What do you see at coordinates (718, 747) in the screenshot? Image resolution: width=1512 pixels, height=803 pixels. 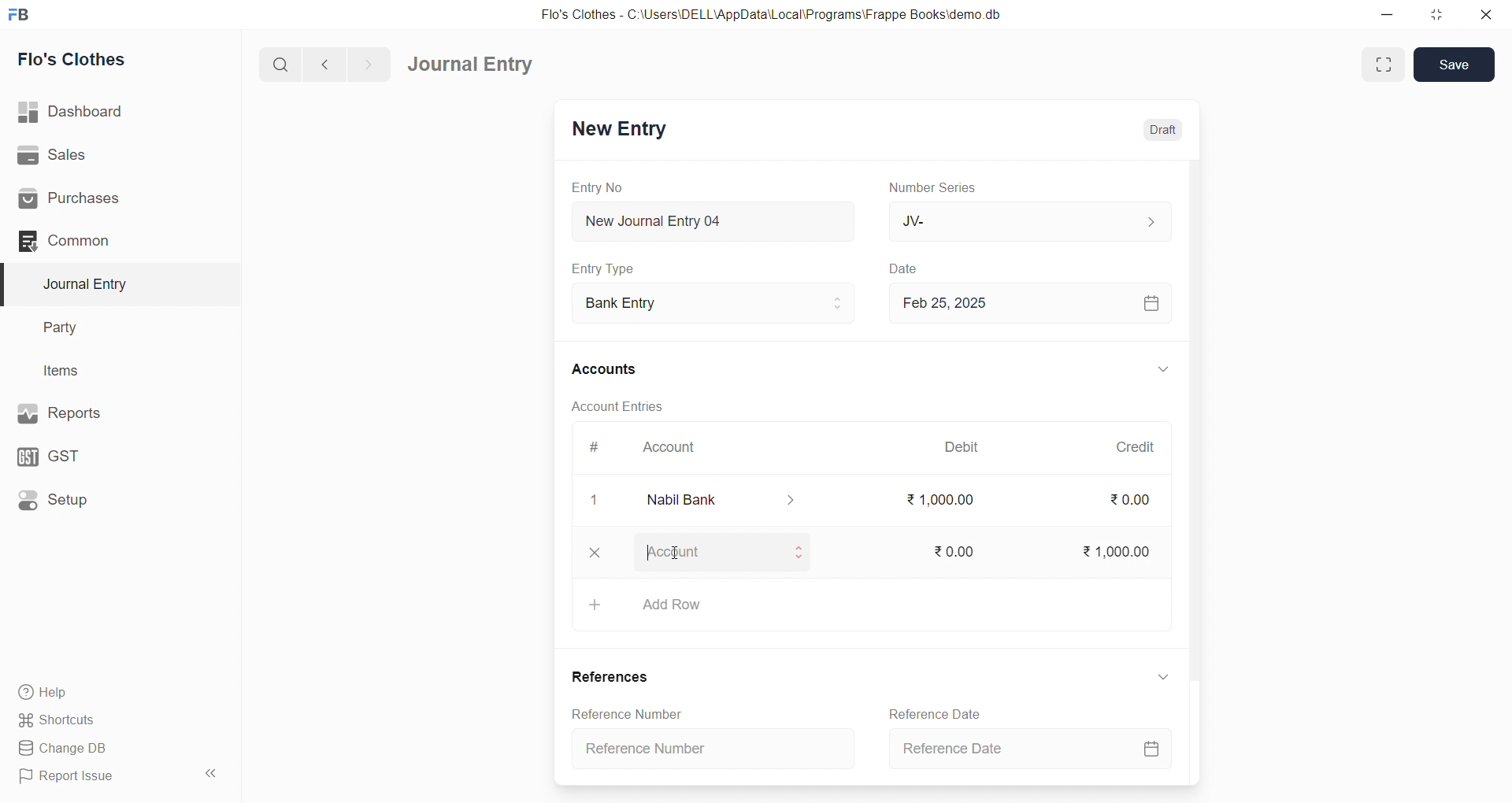 I see `Reference Number` at bounding box center [718, 747].